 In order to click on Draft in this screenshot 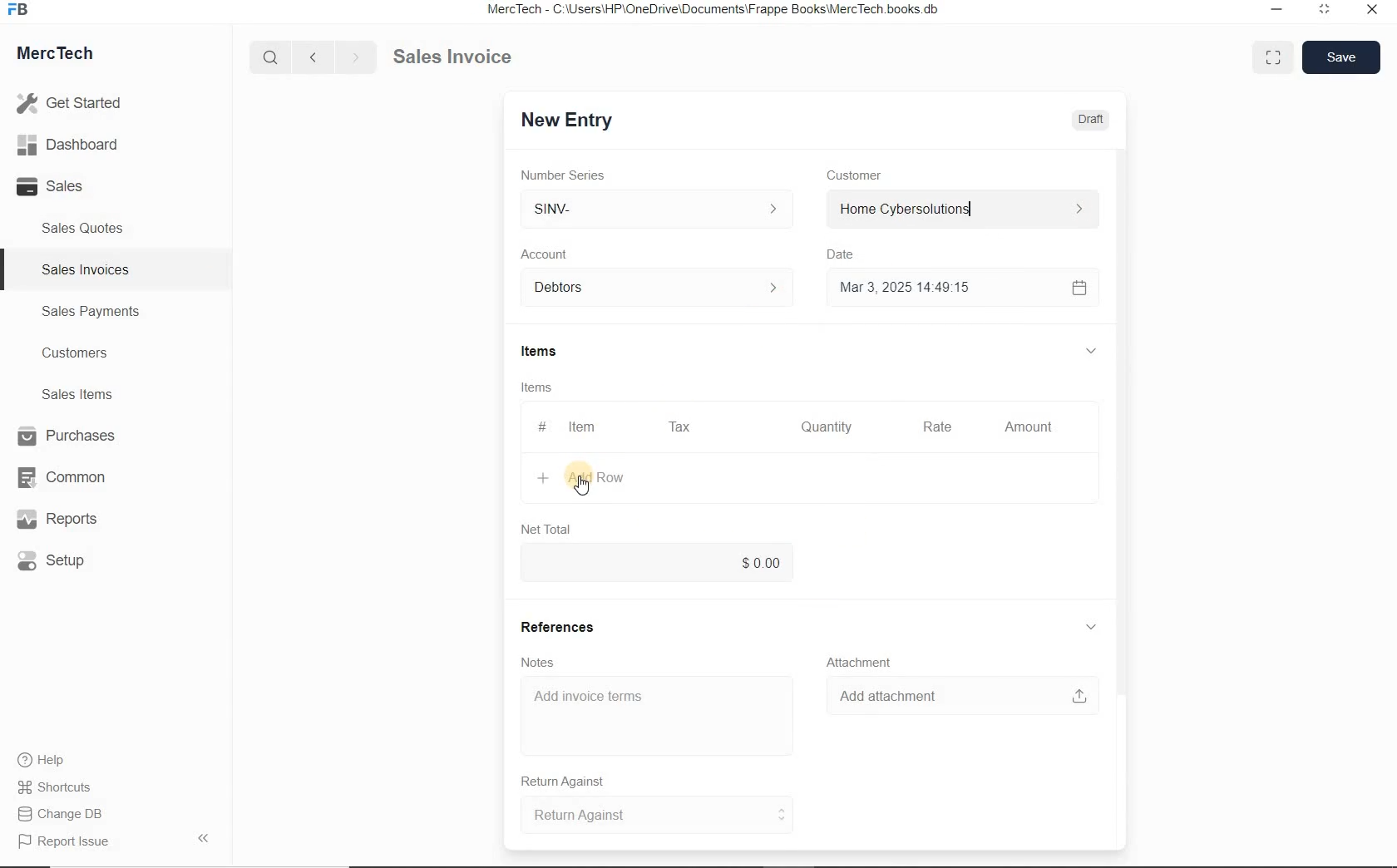, I will do `click(1092, 120)`.